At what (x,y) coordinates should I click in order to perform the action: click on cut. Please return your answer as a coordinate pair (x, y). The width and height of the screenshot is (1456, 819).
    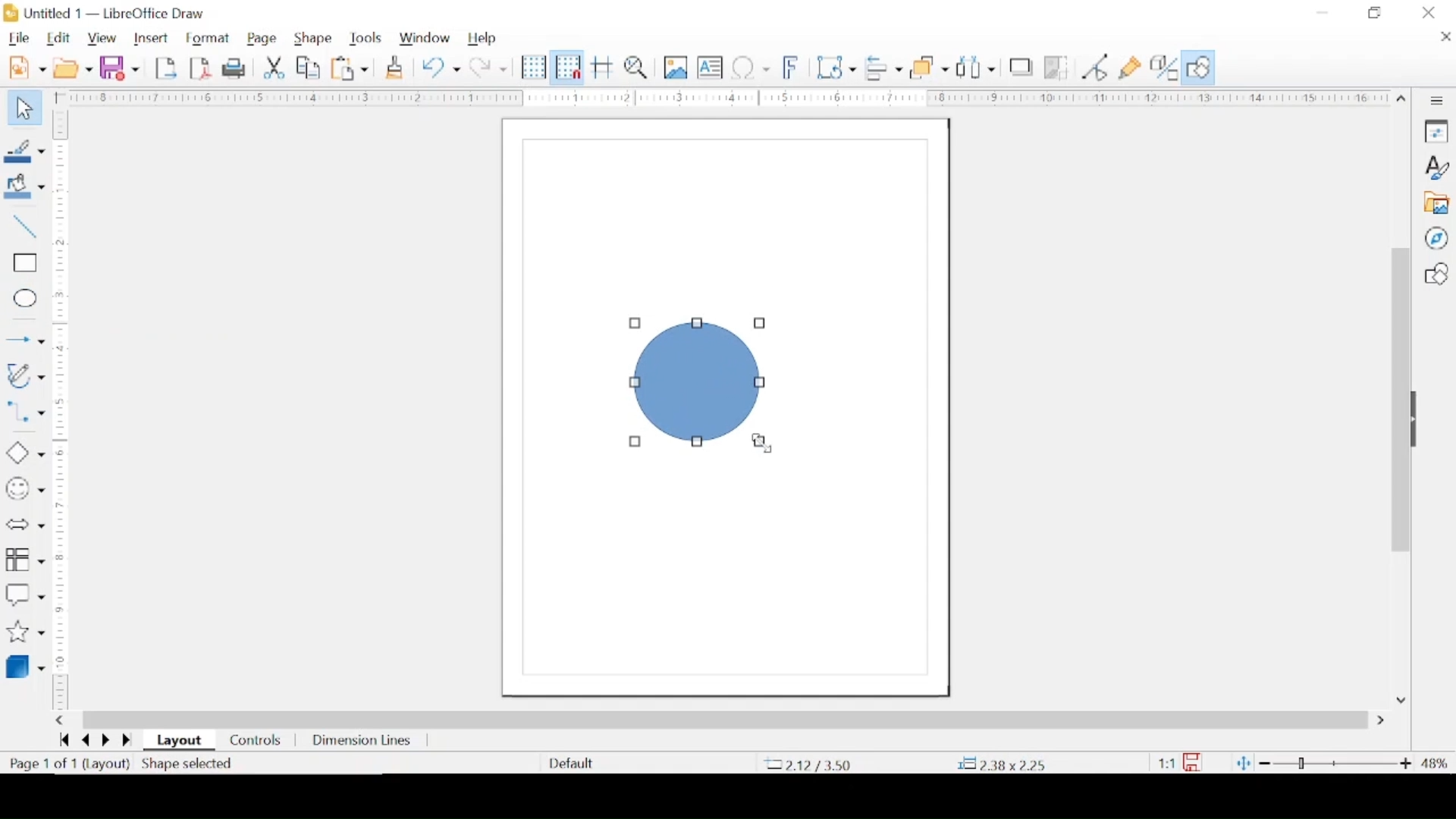
    Looking at the image, I should click on (275, 67).